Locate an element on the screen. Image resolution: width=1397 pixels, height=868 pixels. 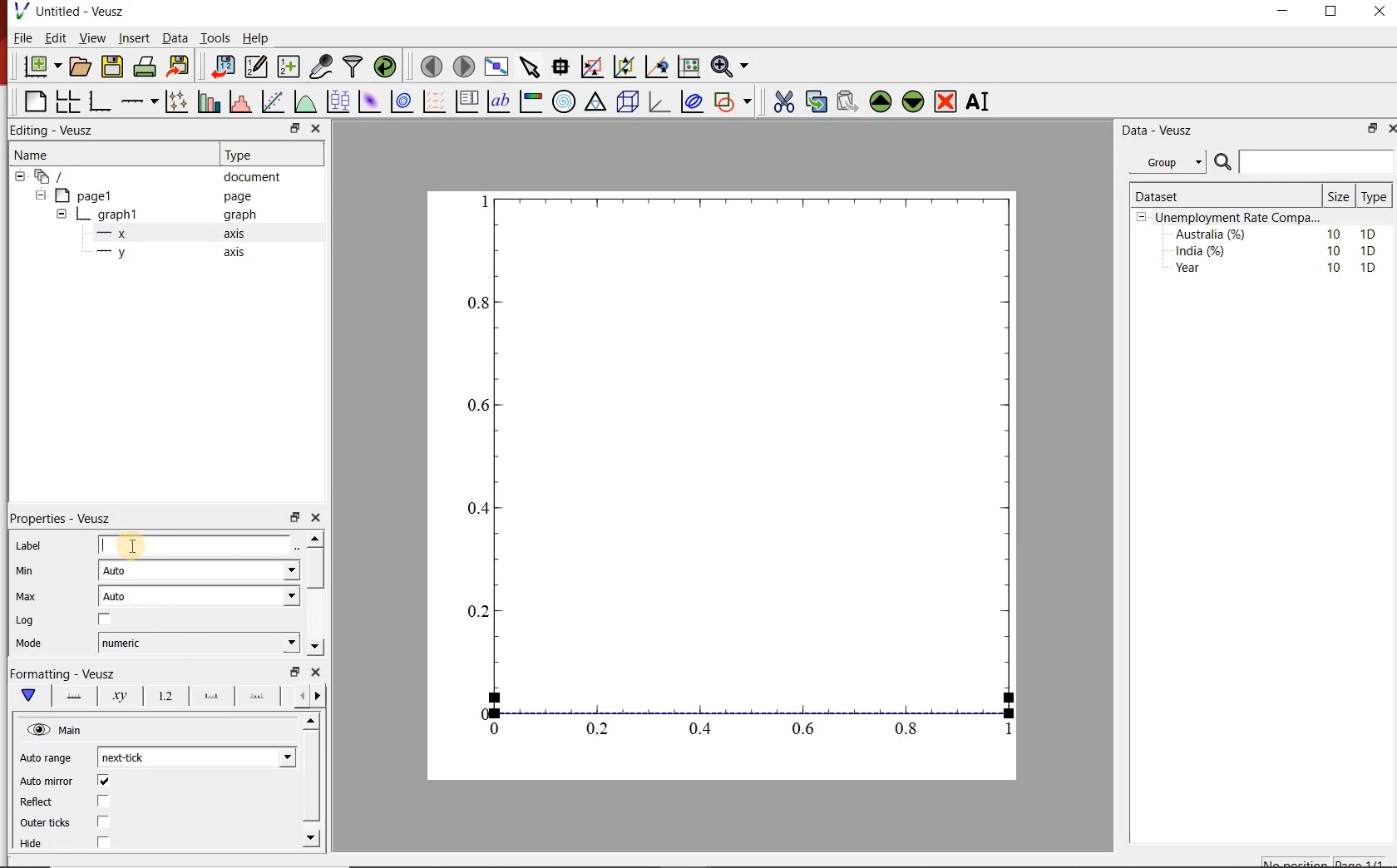
plot 2d datasets as image is located at coordinates (369, 101).